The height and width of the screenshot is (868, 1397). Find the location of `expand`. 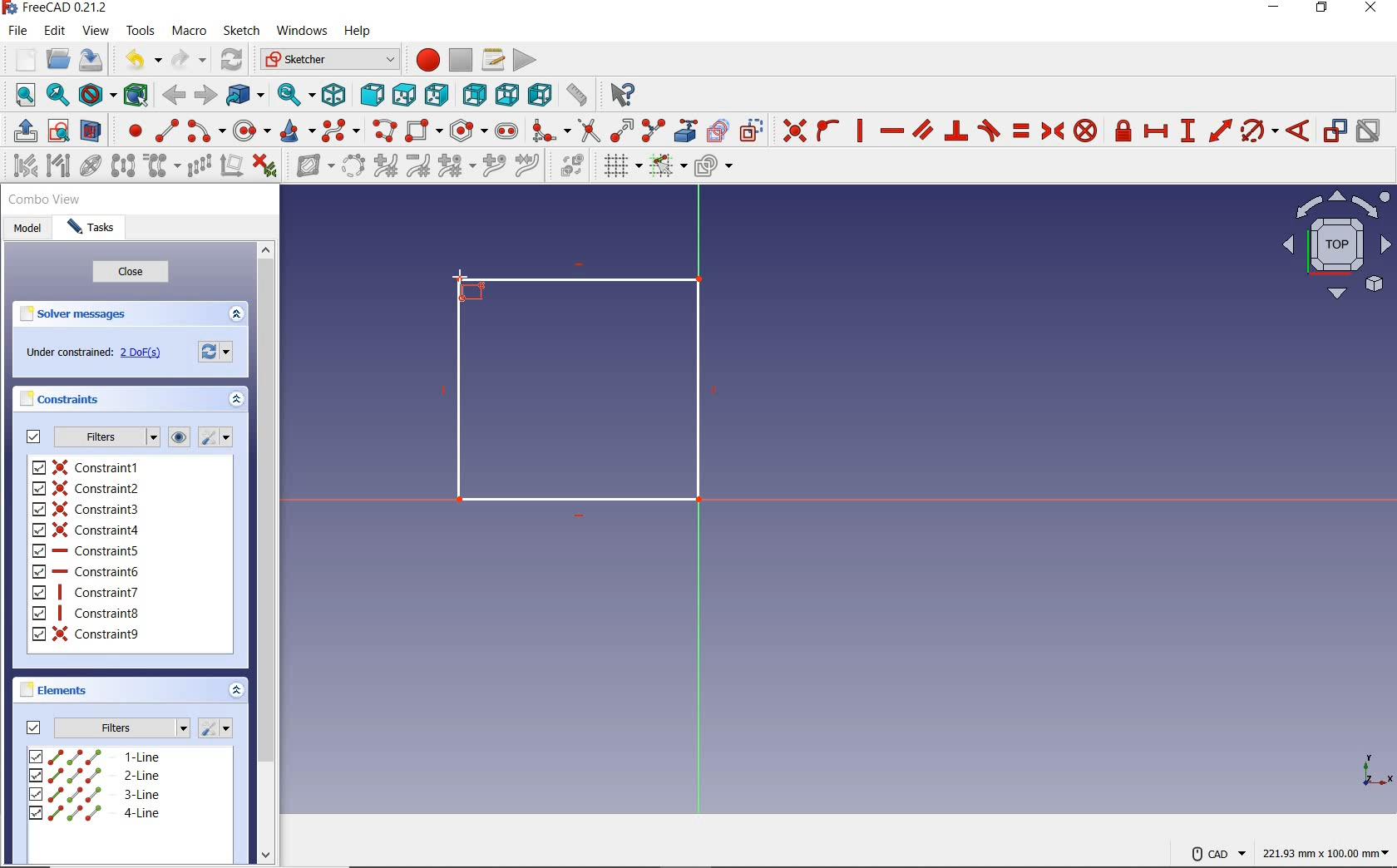

expand is located at coordinates (237, 401).